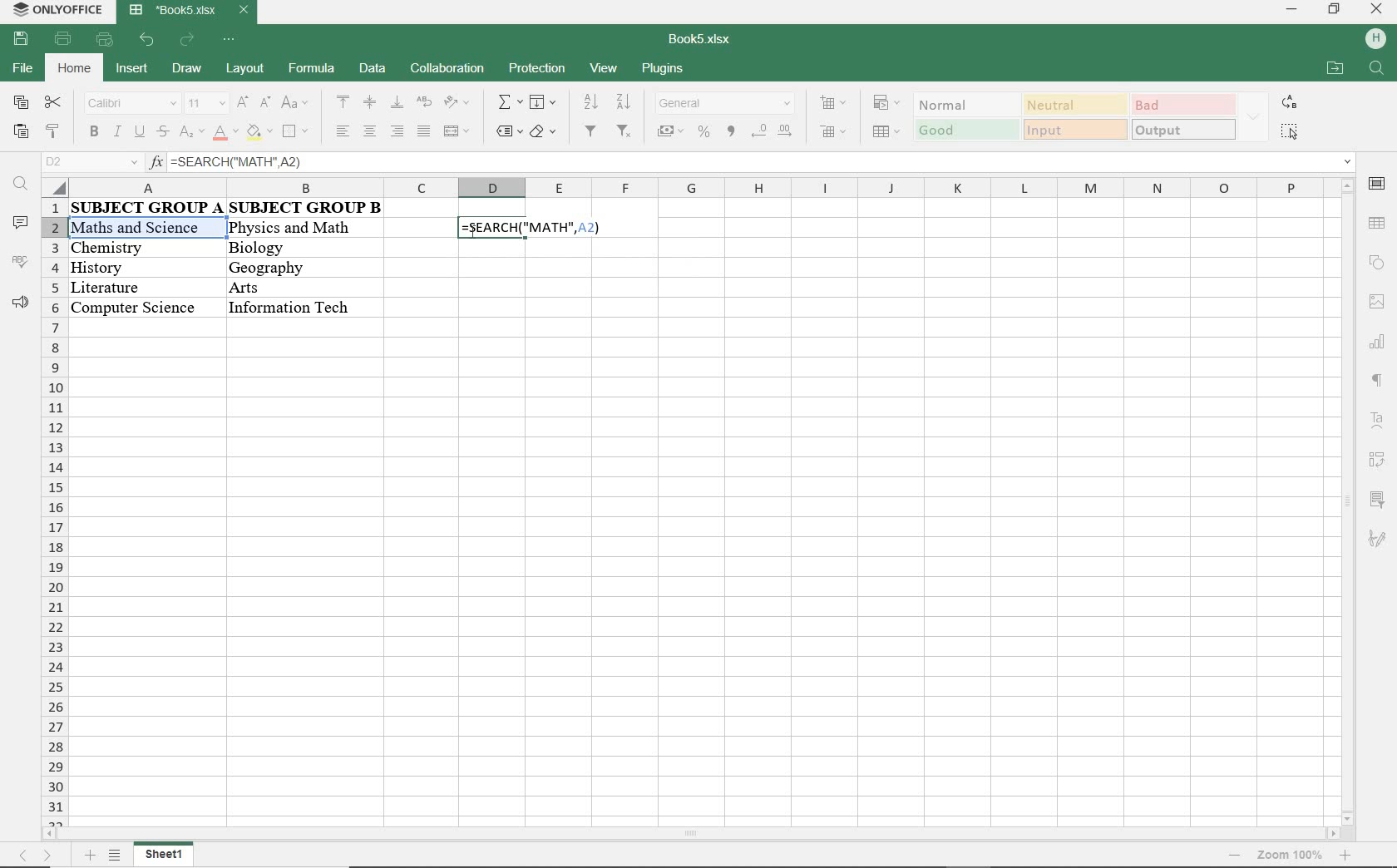 The image size is (1397, 868). Describe the element at coordinates (1345, 502) in the screenshot. I see `scrollbar` at that location.